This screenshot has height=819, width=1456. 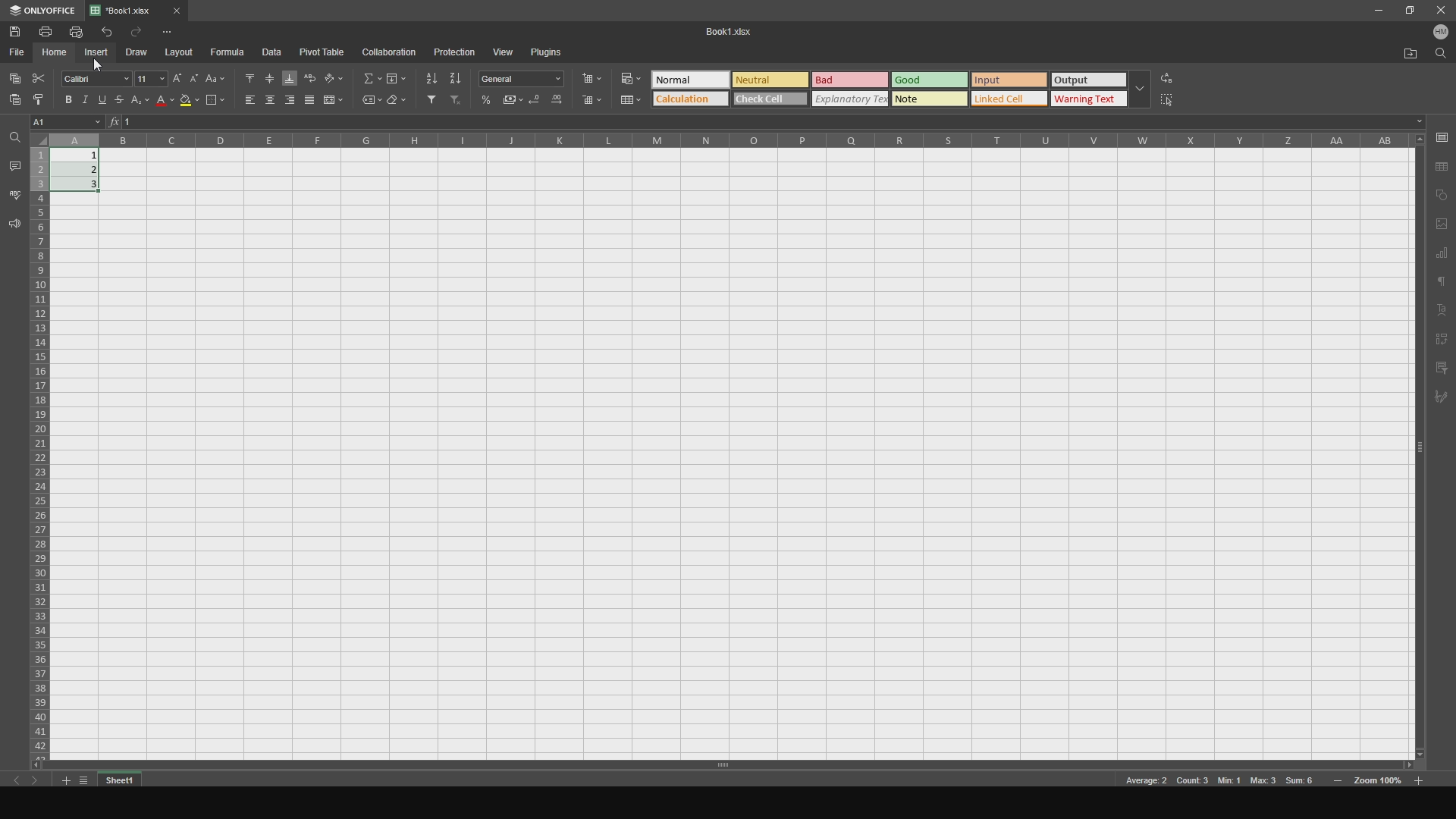 What do you see at coordinates (733, 140) in the screenshot?
I see `columns` at bounding box center [733, 140].